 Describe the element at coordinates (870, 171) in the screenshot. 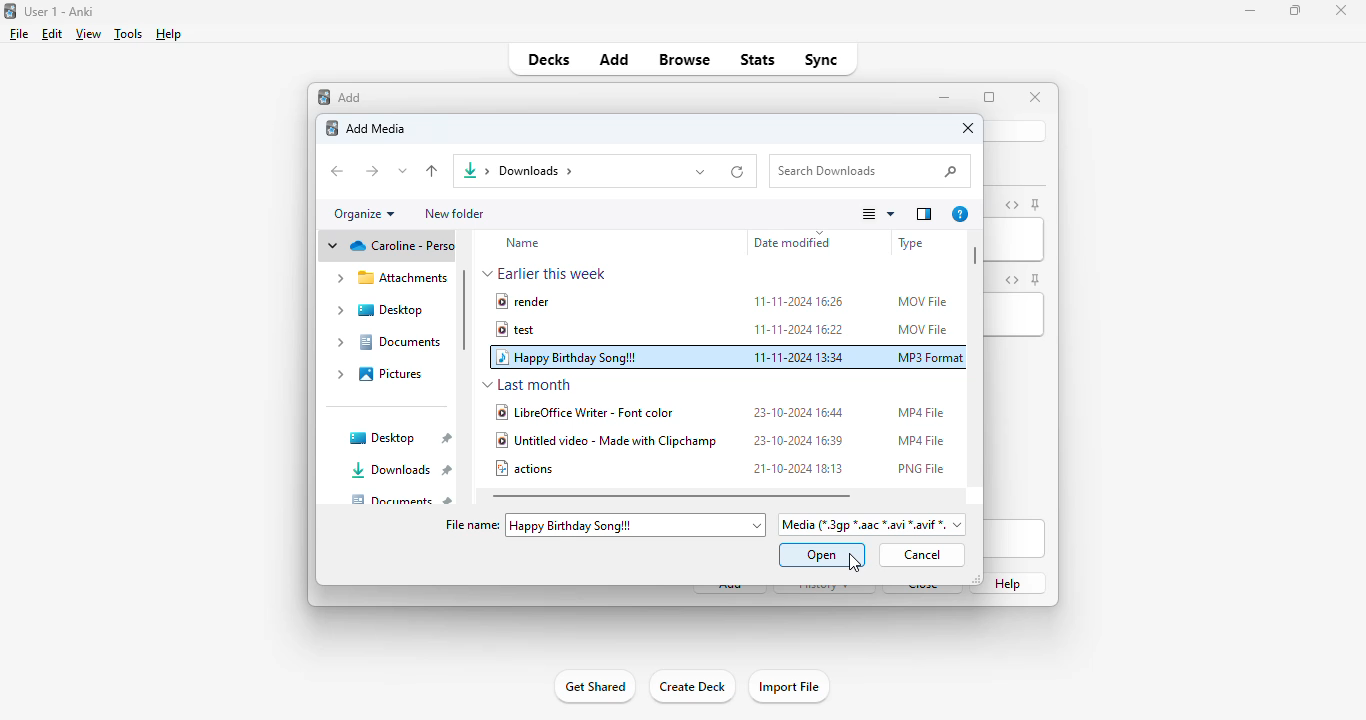

I see `search downloads` at that location.